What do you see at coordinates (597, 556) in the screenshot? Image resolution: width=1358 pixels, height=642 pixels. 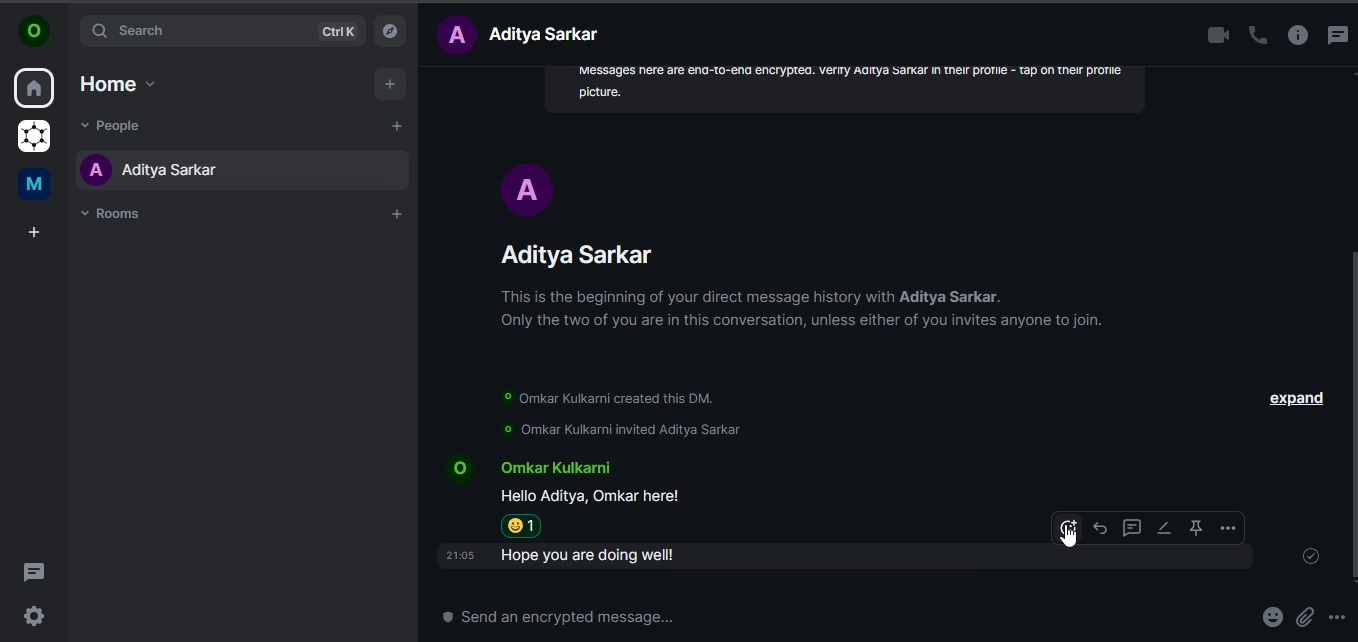 I see `Hope you are doing well!` at bounding box center [597, 556].